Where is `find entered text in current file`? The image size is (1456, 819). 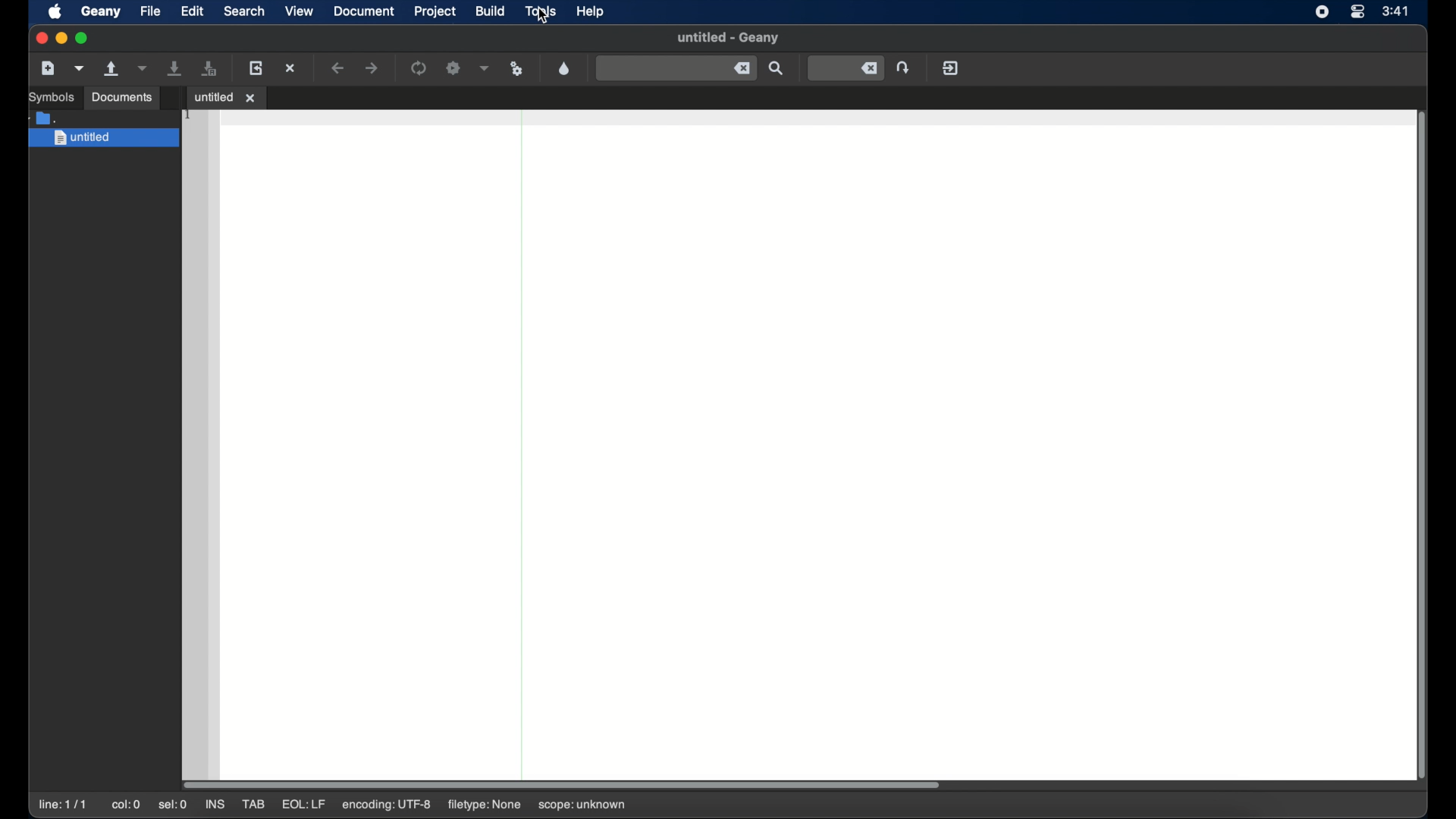 find entered text in current file is located at coordinates (676, 69).